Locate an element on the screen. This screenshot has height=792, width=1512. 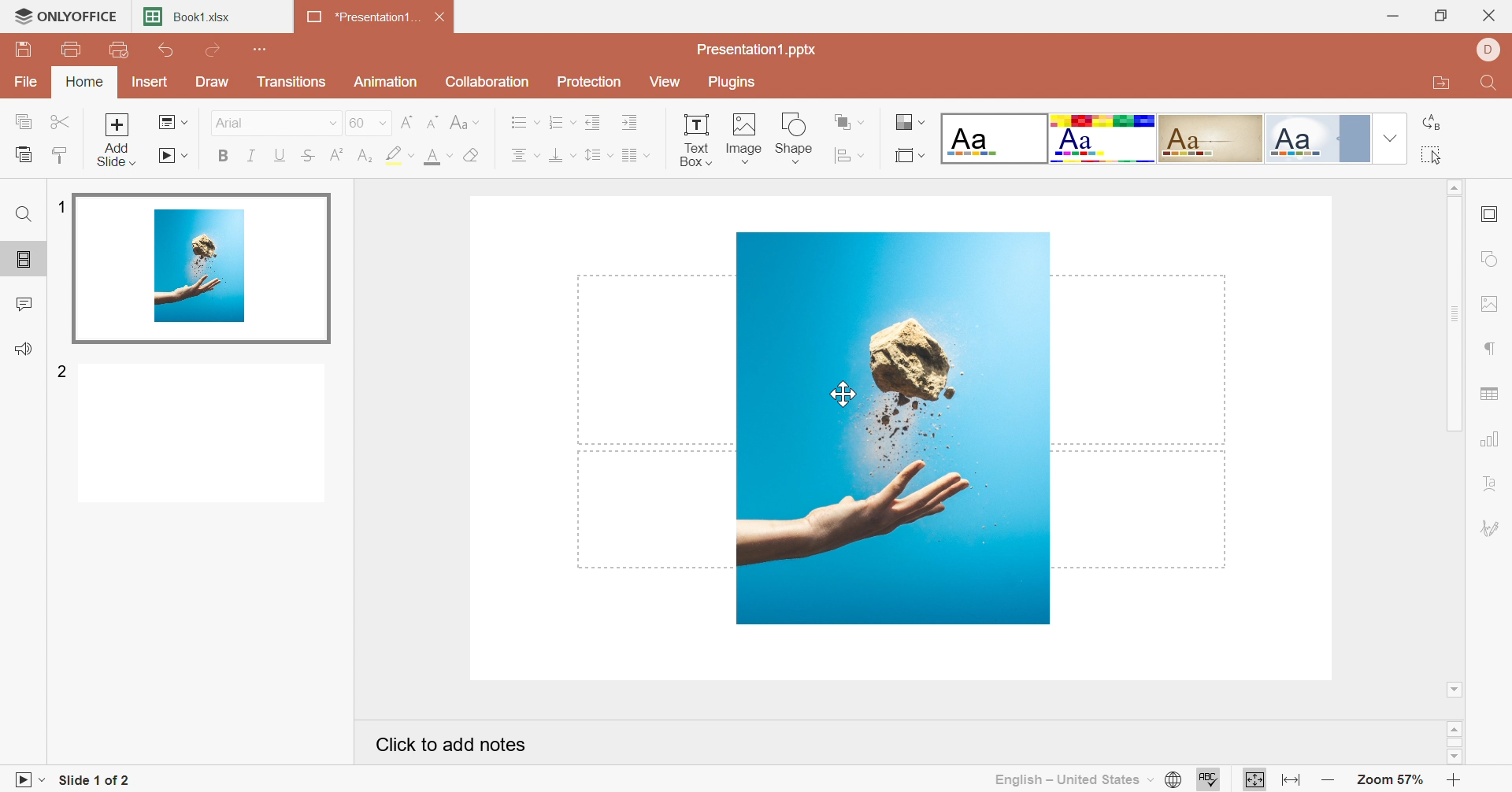
Decrease indent is located at coordinates (595, 120).